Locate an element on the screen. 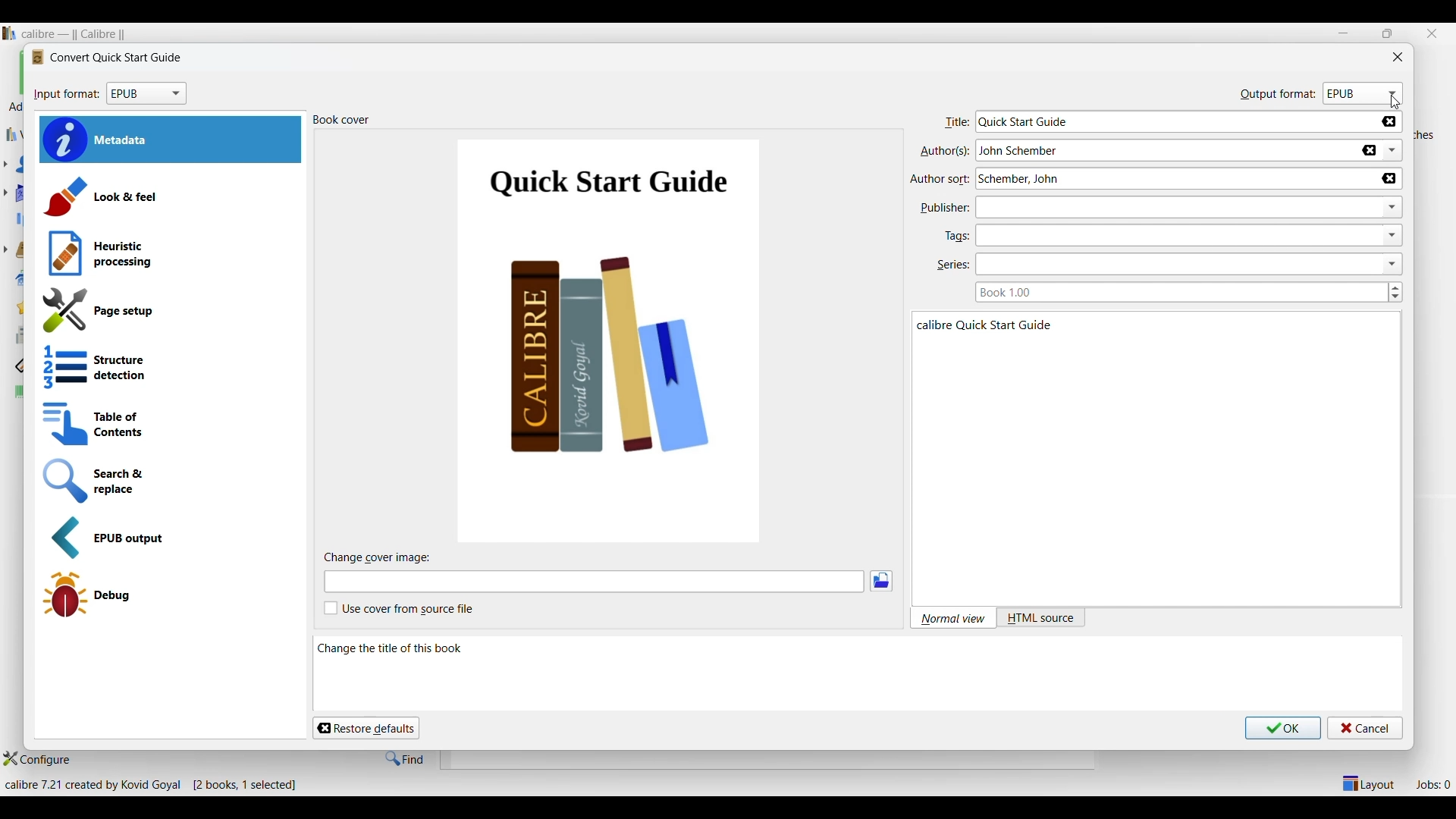 The height and width of the screenshot is (819, 1456). input format is located at coordinates (66, 96).